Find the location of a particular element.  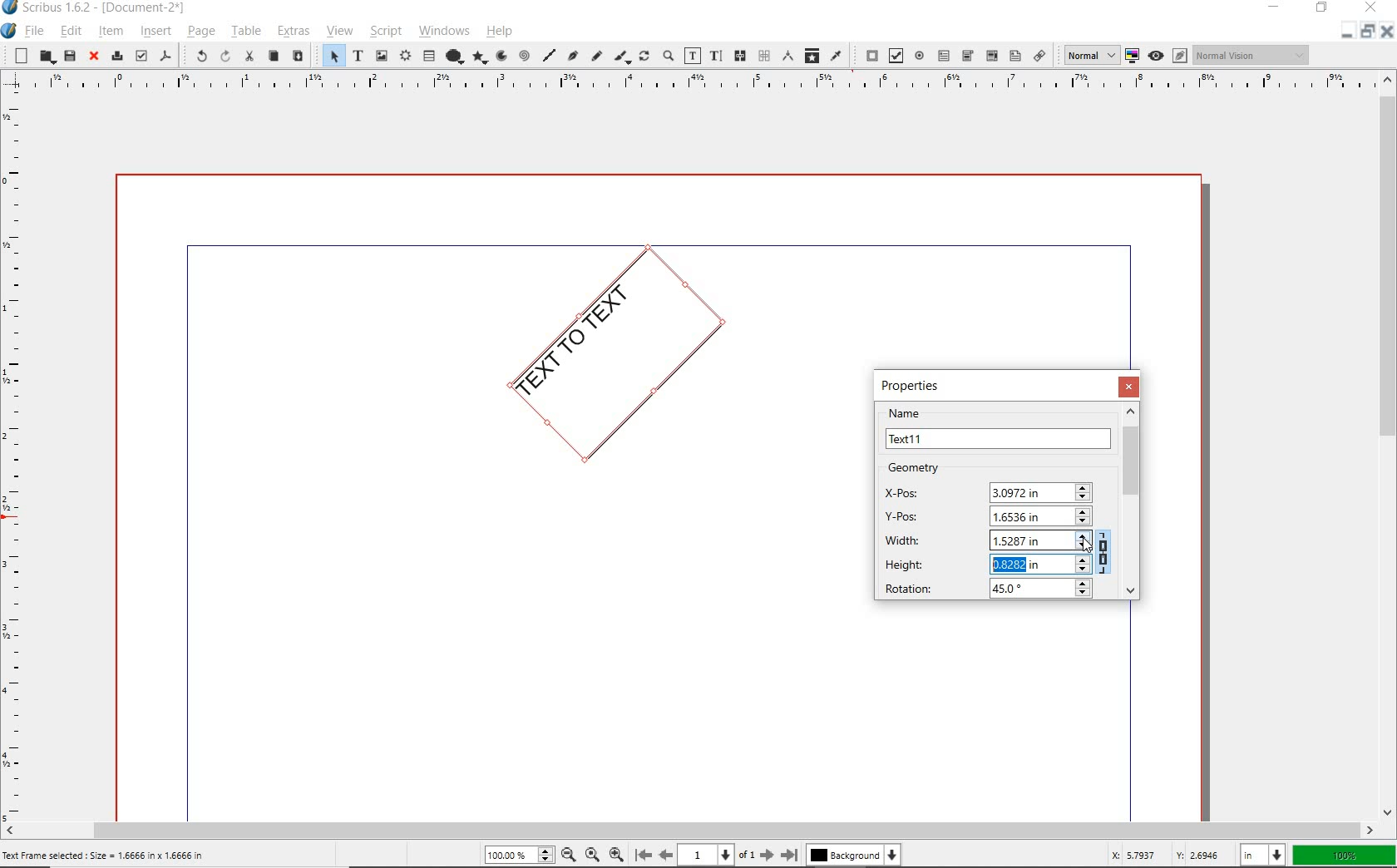

pdf combo box is located at coordinates (967, 55).